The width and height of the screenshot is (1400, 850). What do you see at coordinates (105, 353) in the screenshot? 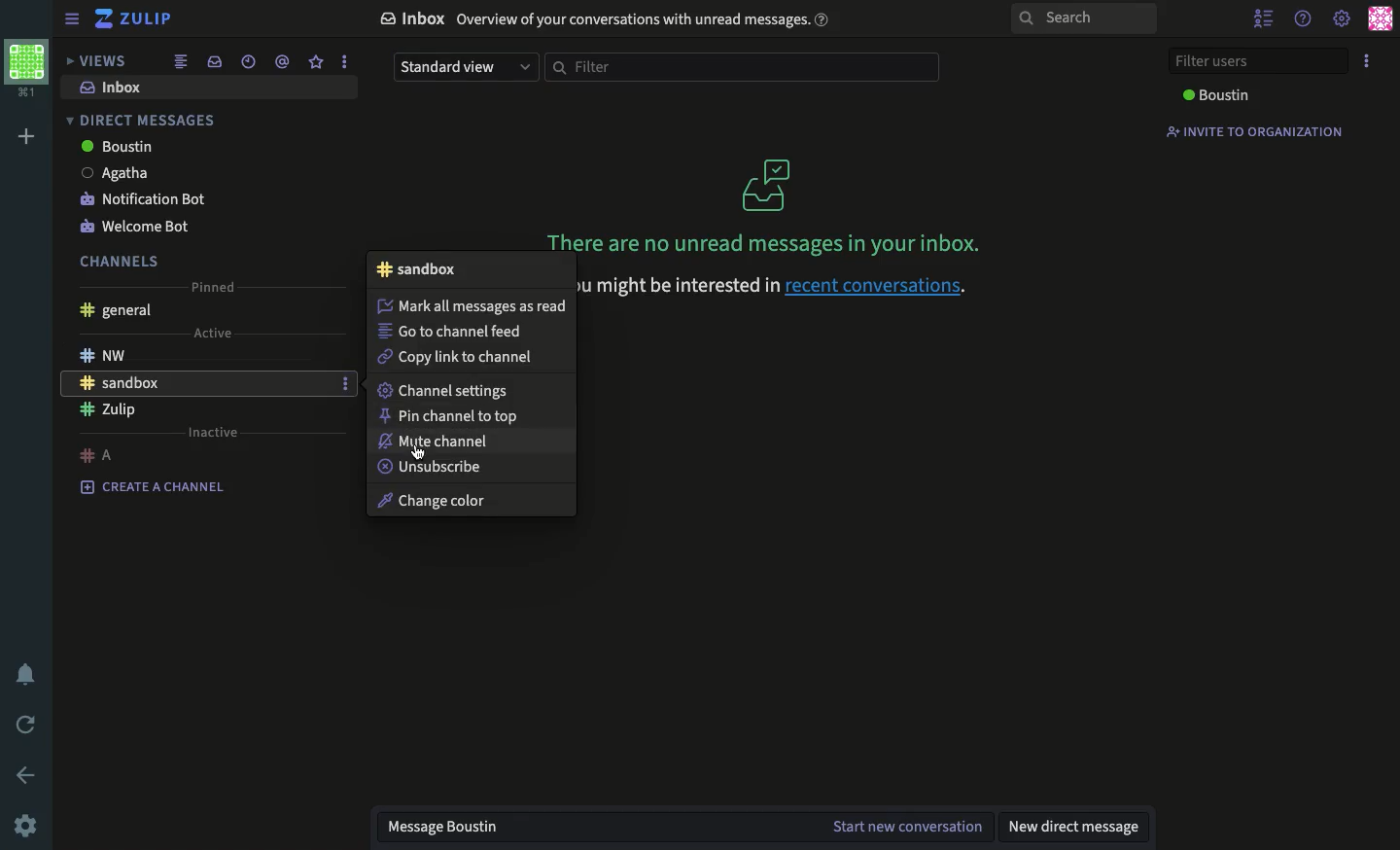
I see `nw` at bounding box center [105, 353].